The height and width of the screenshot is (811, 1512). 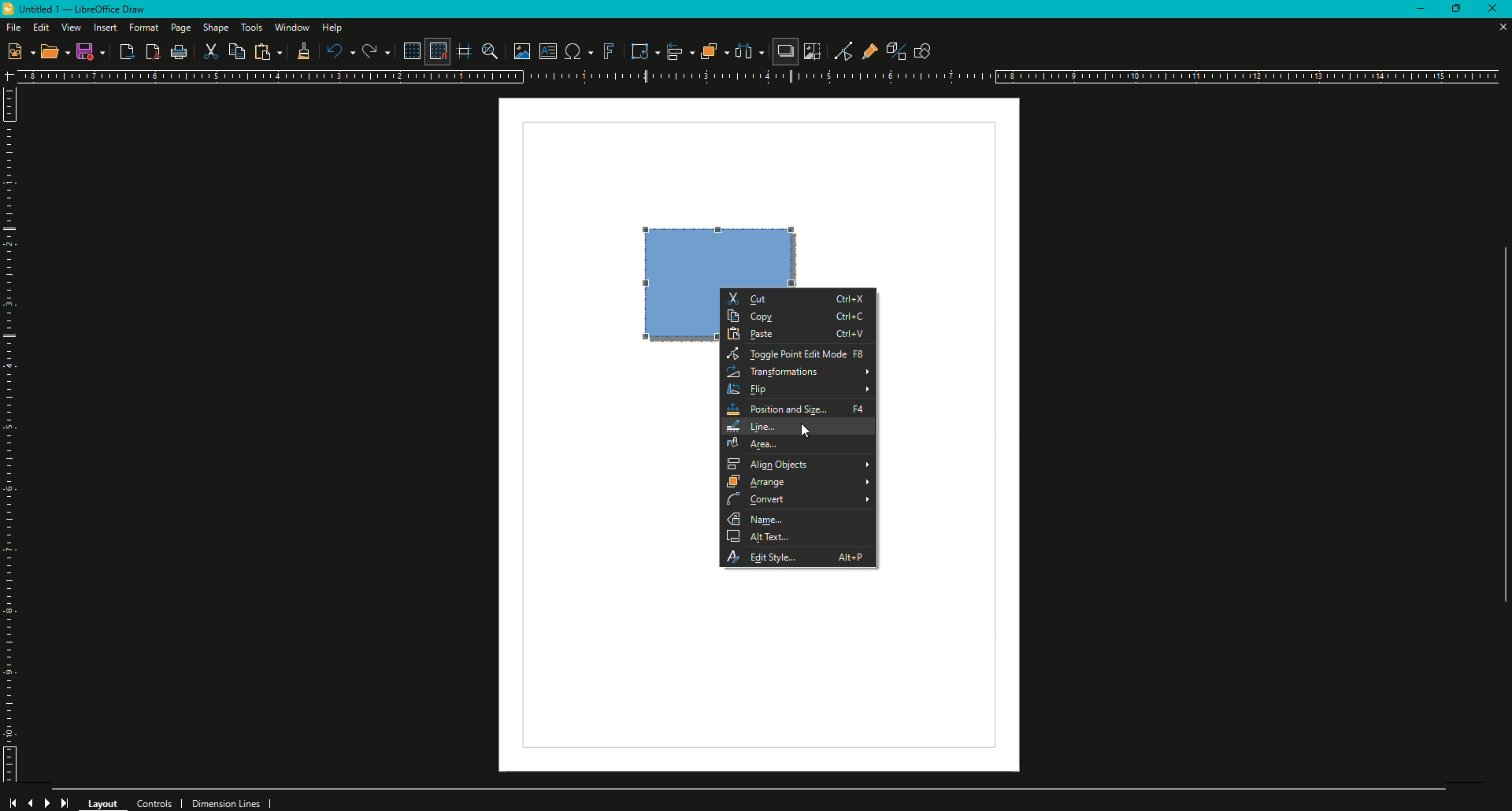 I want to click on File, so click(x=13, y=27).